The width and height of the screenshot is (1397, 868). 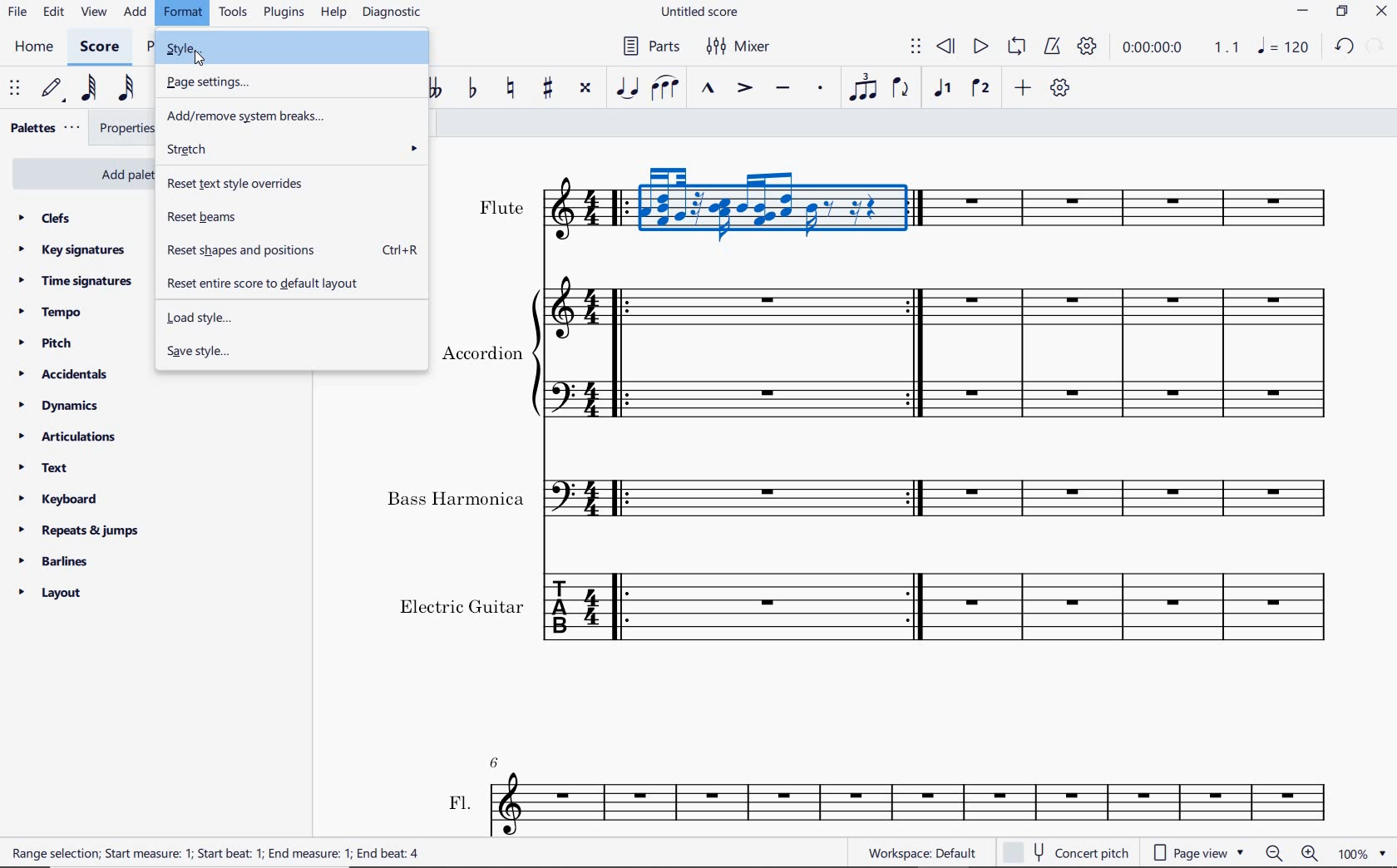 I want to click on CLOSE, so click(x=1381, y=12).